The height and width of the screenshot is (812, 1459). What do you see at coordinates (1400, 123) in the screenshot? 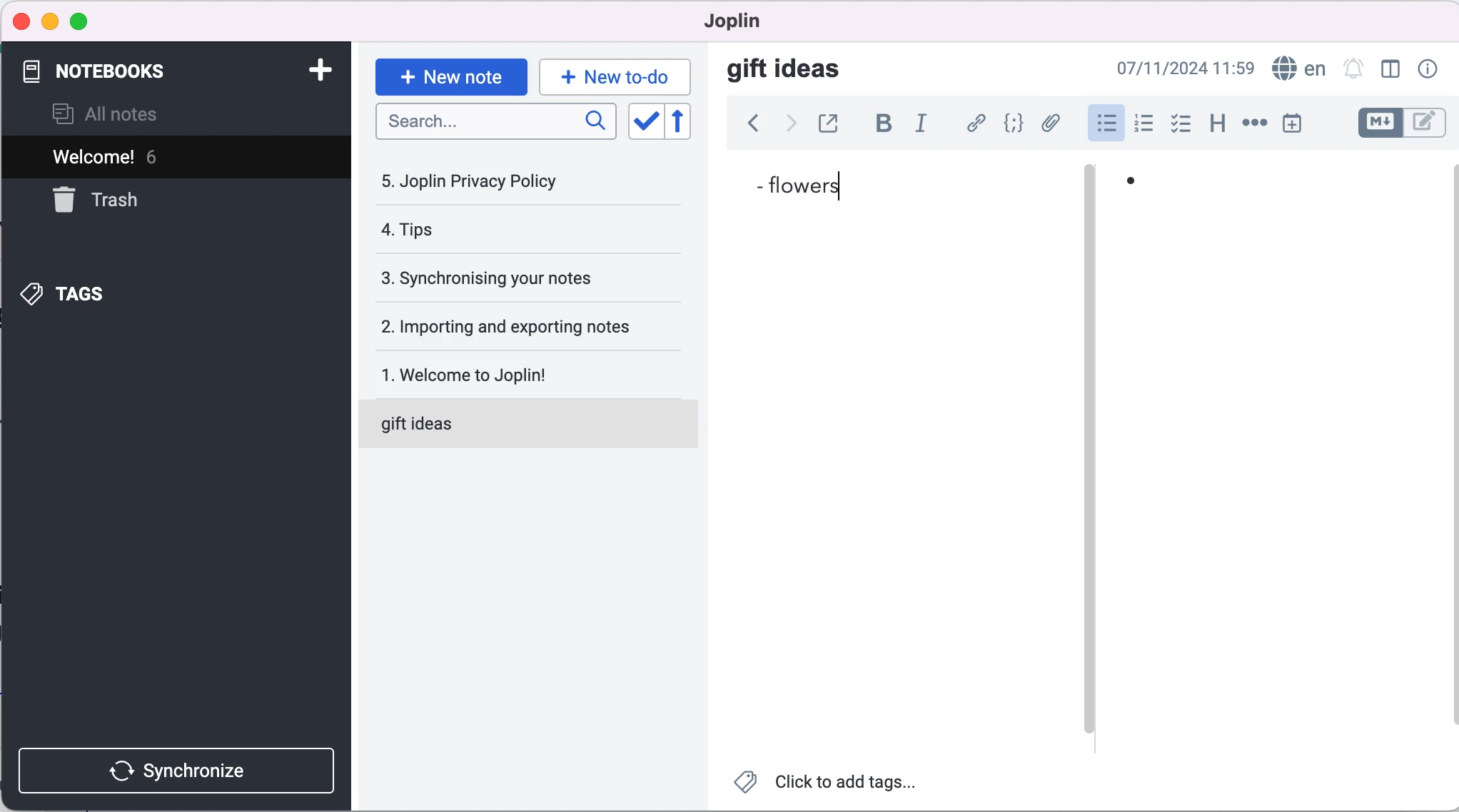
I see `toggle editors` at bounding box center [1400, 123].